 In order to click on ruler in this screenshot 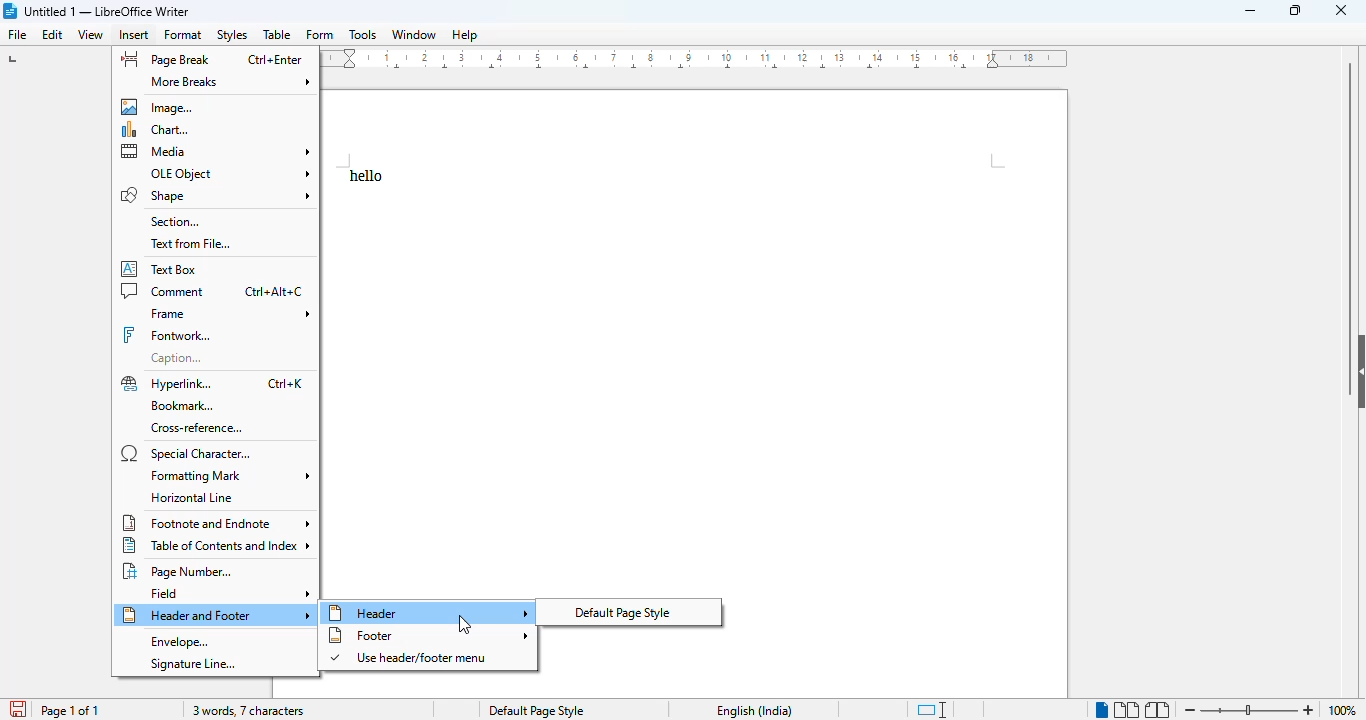, I will do `click(696, 58)`.